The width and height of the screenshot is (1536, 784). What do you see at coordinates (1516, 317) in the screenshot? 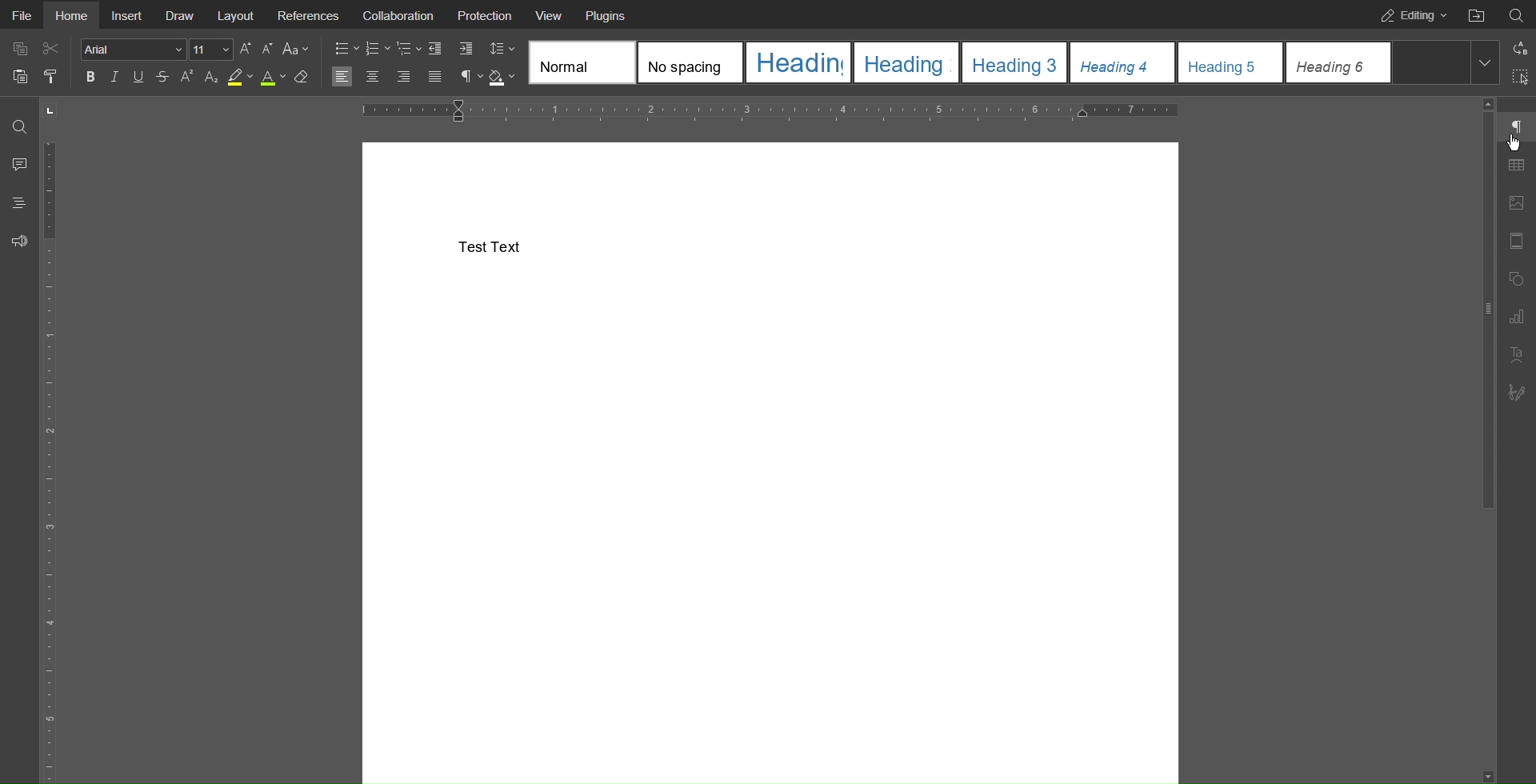
I see `Graph Settings` at bounding box center [1516, 317].